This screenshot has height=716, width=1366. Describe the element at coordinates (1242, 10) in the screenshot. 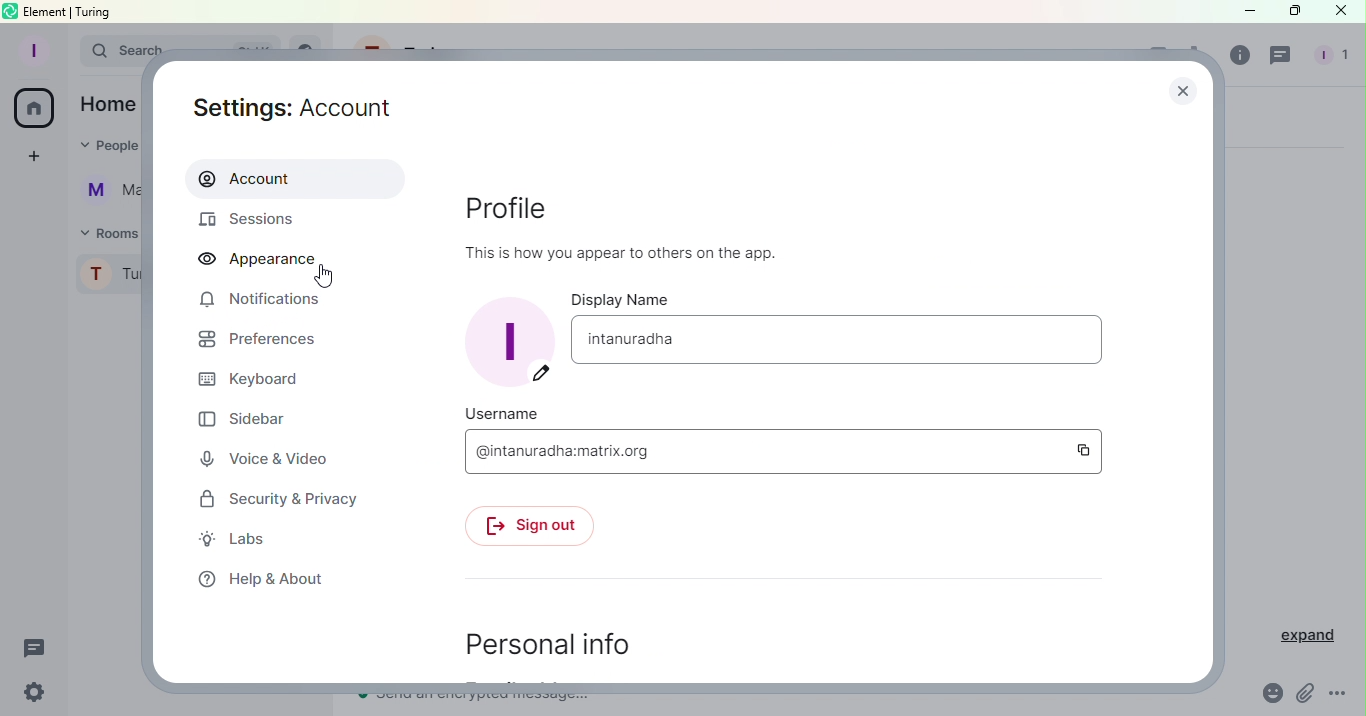

I see `Minimize` at that location.